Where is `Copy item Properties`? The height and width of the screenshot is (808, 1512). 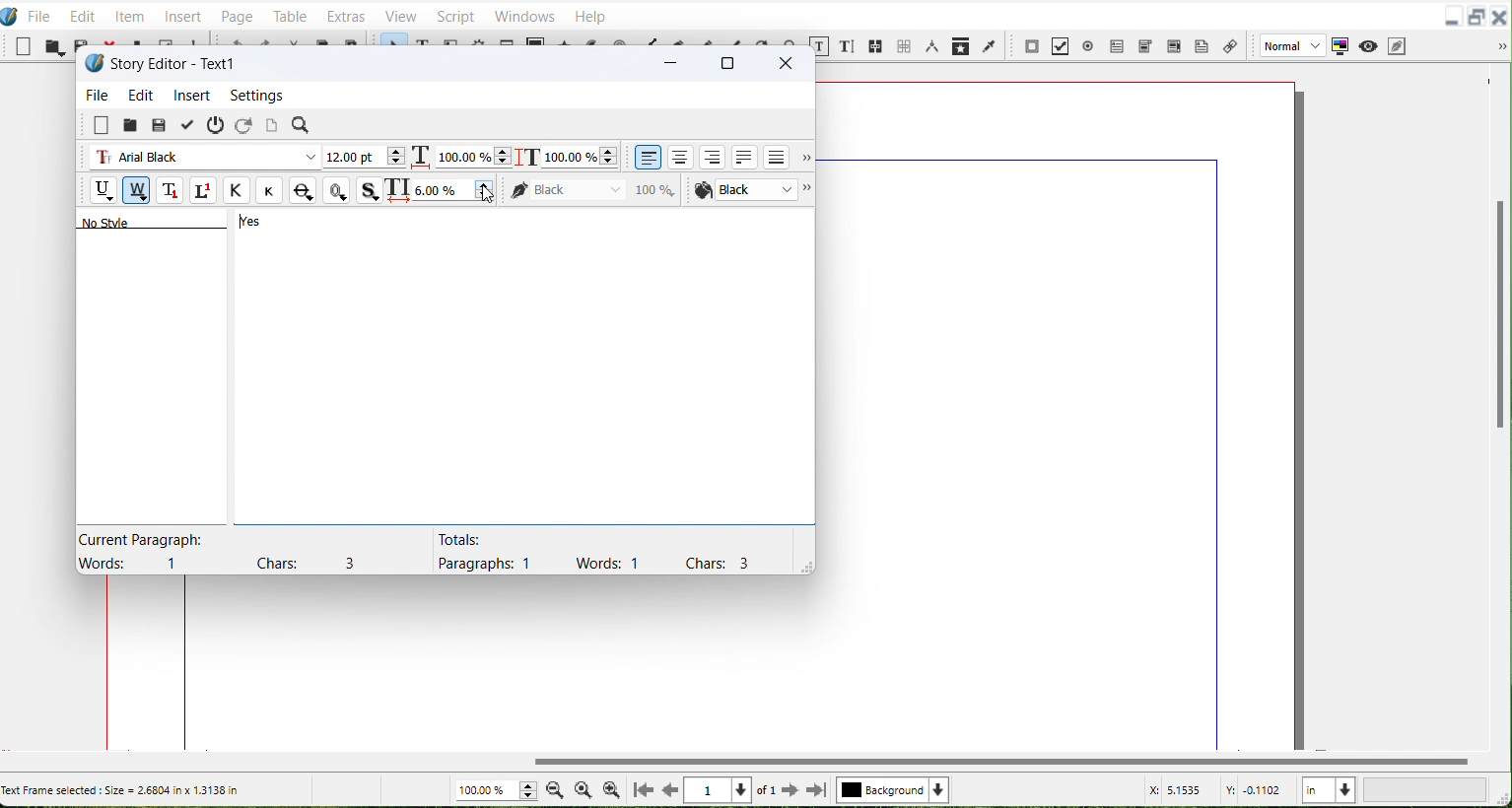 Copy item Properties is located at coordinates (962, 45).